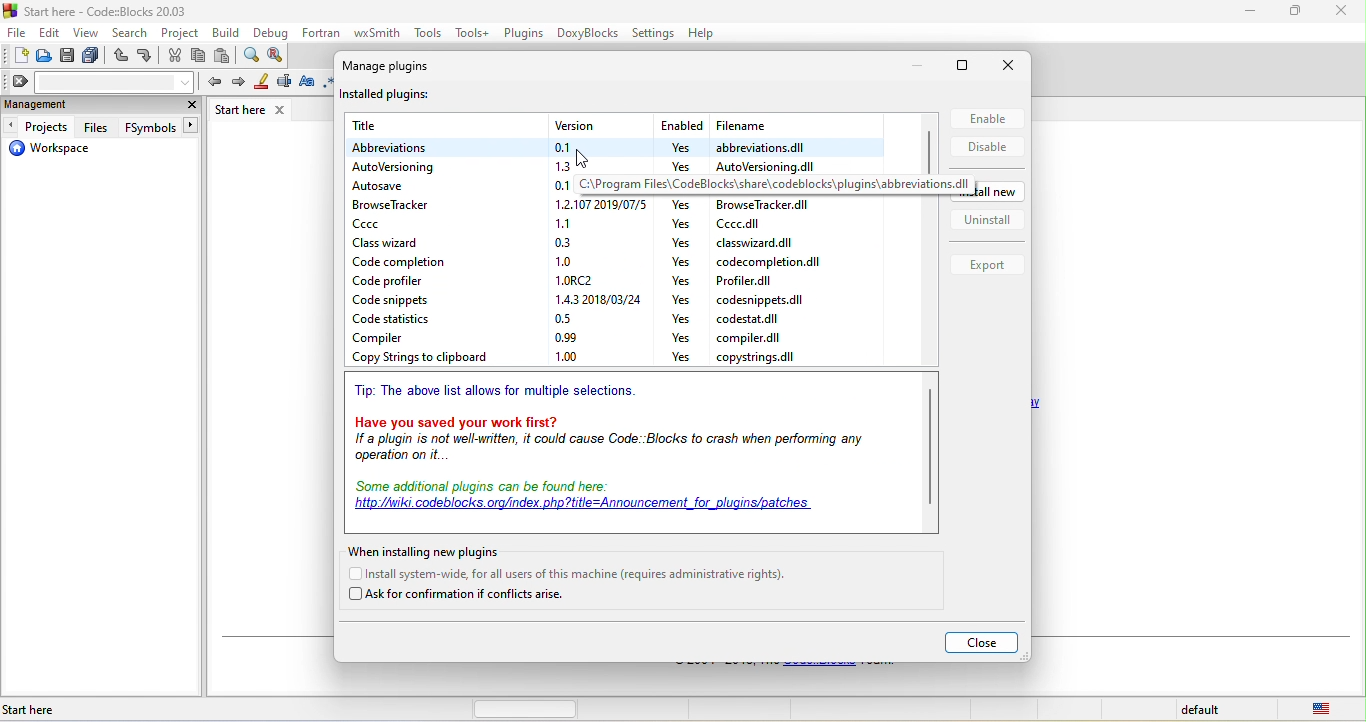  What do you see at coordinates (58, 152) in the screenshot?
I see `workspace ` at bounding box center [58, 152].